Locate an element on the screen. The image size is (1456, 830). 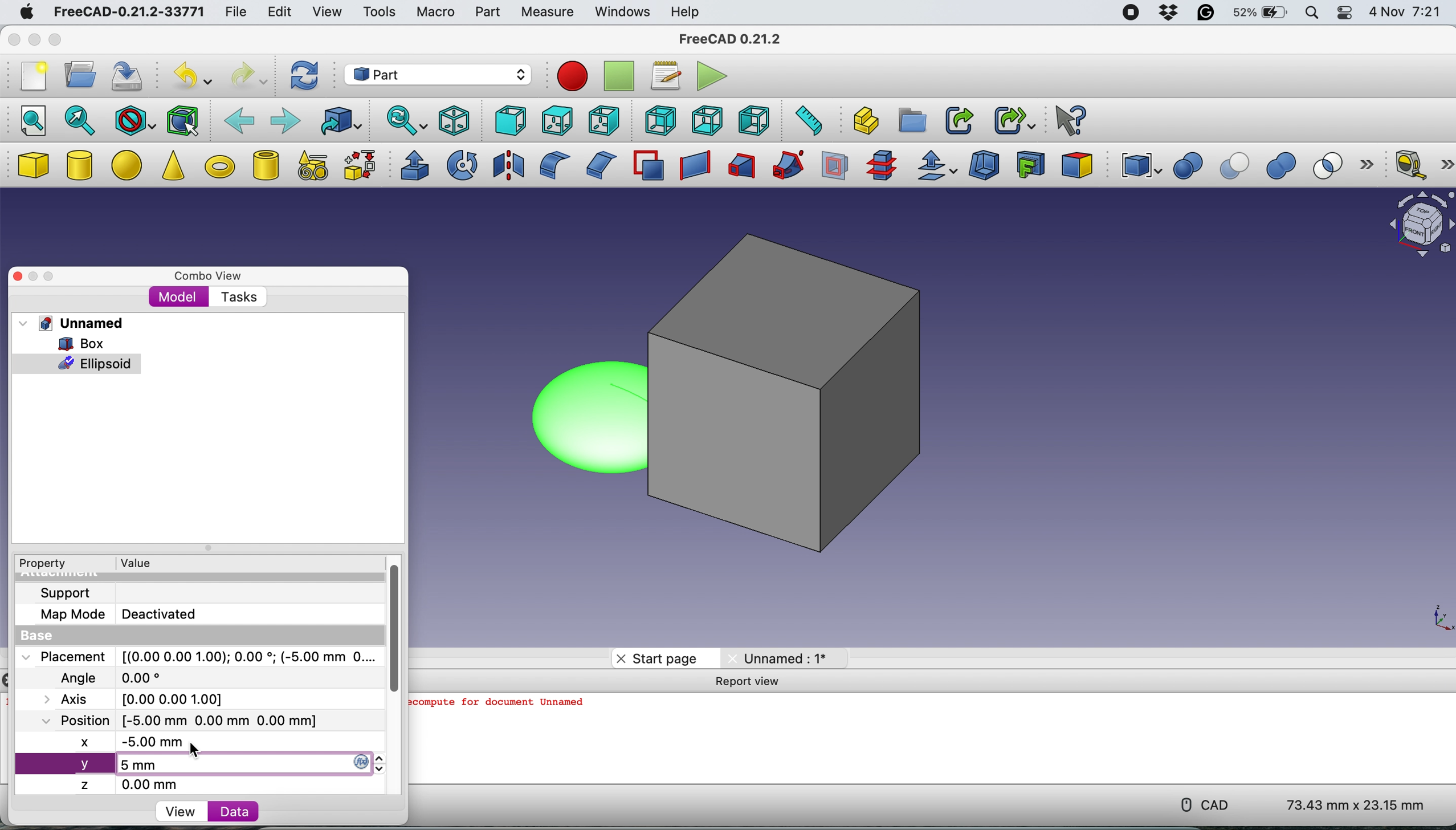
sweep is located at coordinates (784, 166).